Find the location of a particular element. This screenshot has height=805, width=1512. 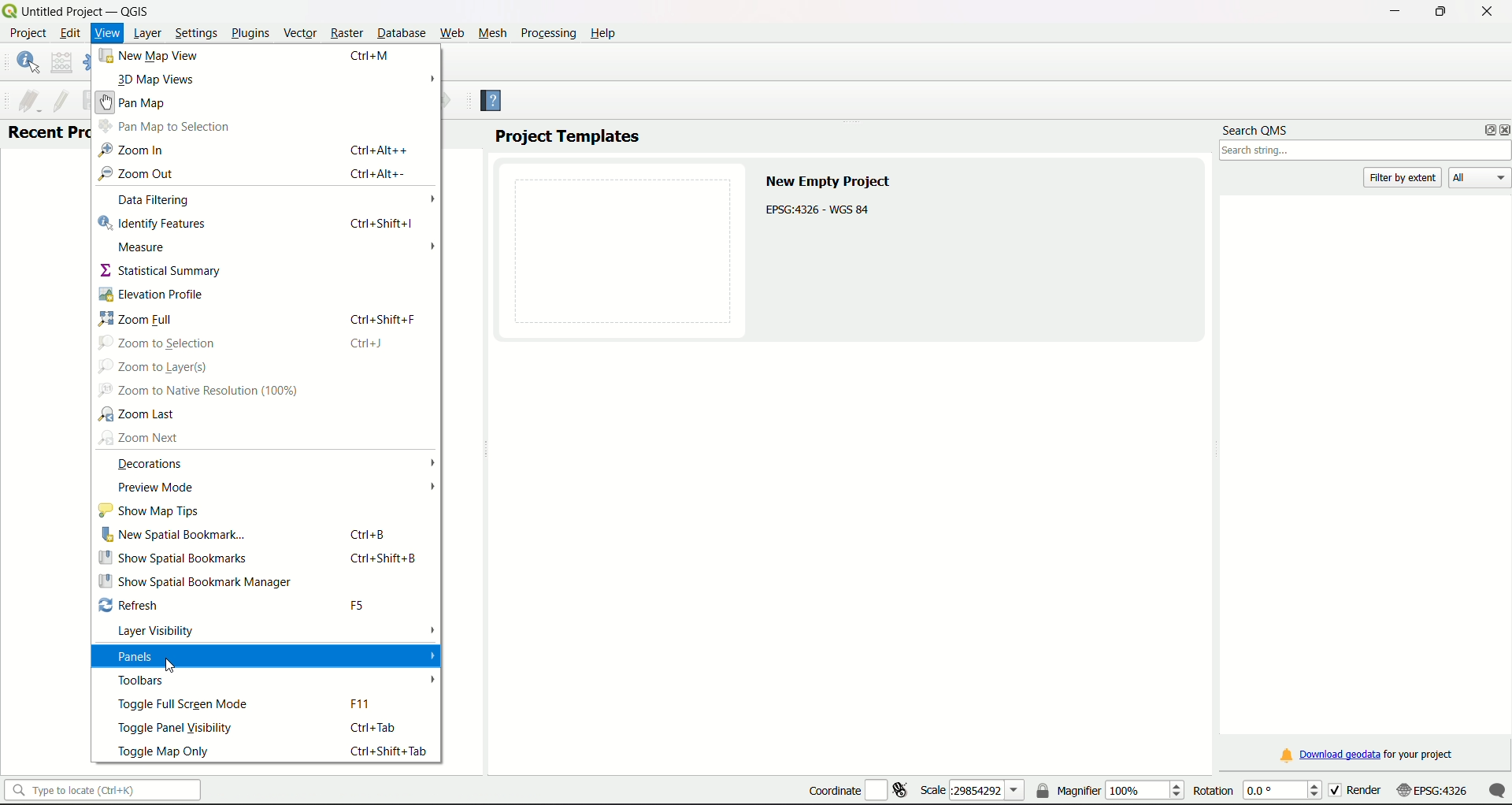

Show spatial bookmark manager is located at coordinates (195, 582).